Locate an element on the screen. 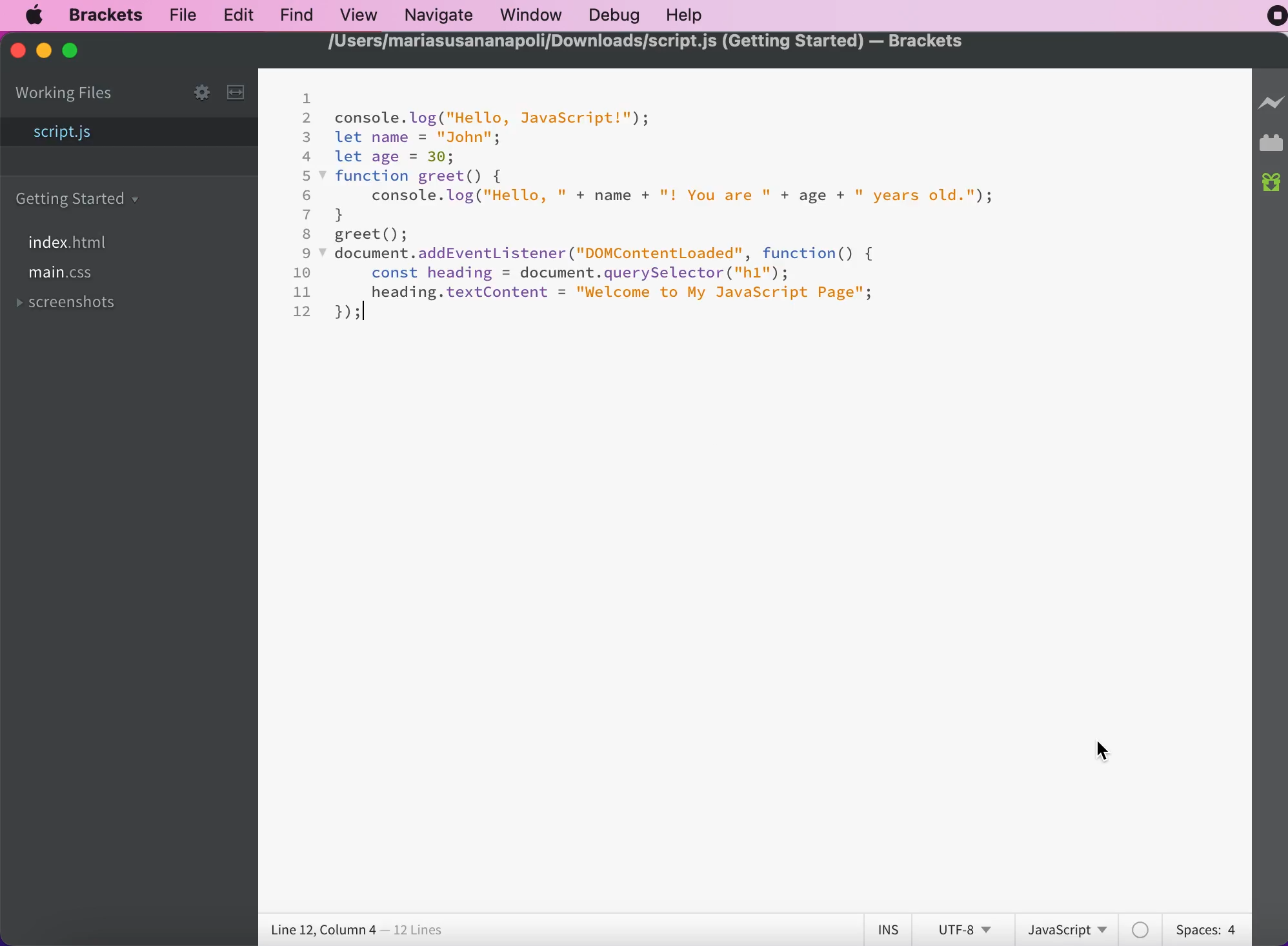  10 is located at coordinates (303, 272).